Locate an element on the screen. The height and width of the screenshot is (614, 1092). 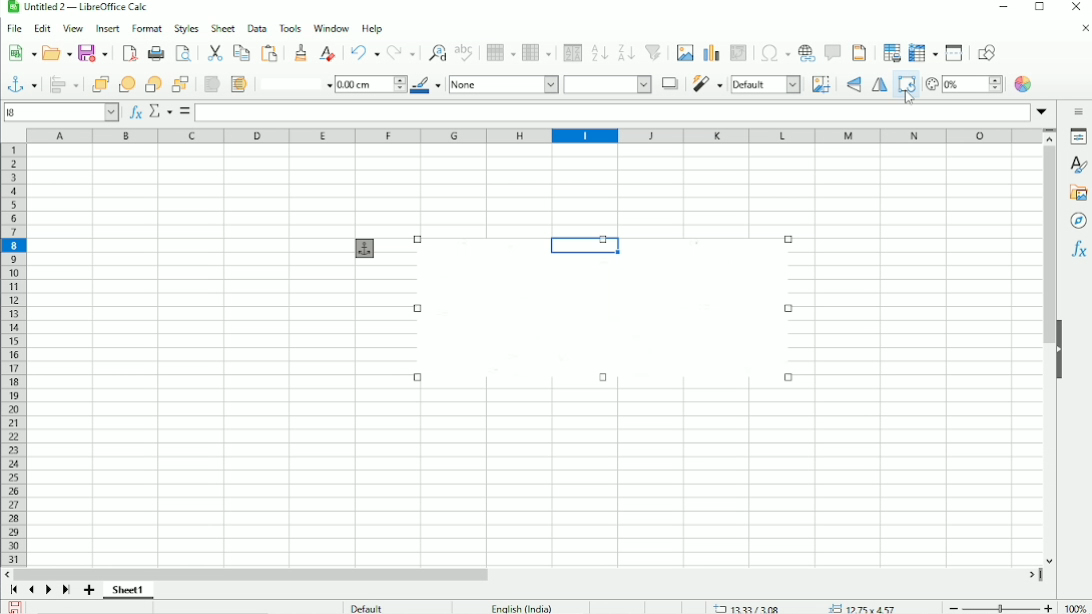
Scroll to previous sheet is located at coordinates (30, 590).